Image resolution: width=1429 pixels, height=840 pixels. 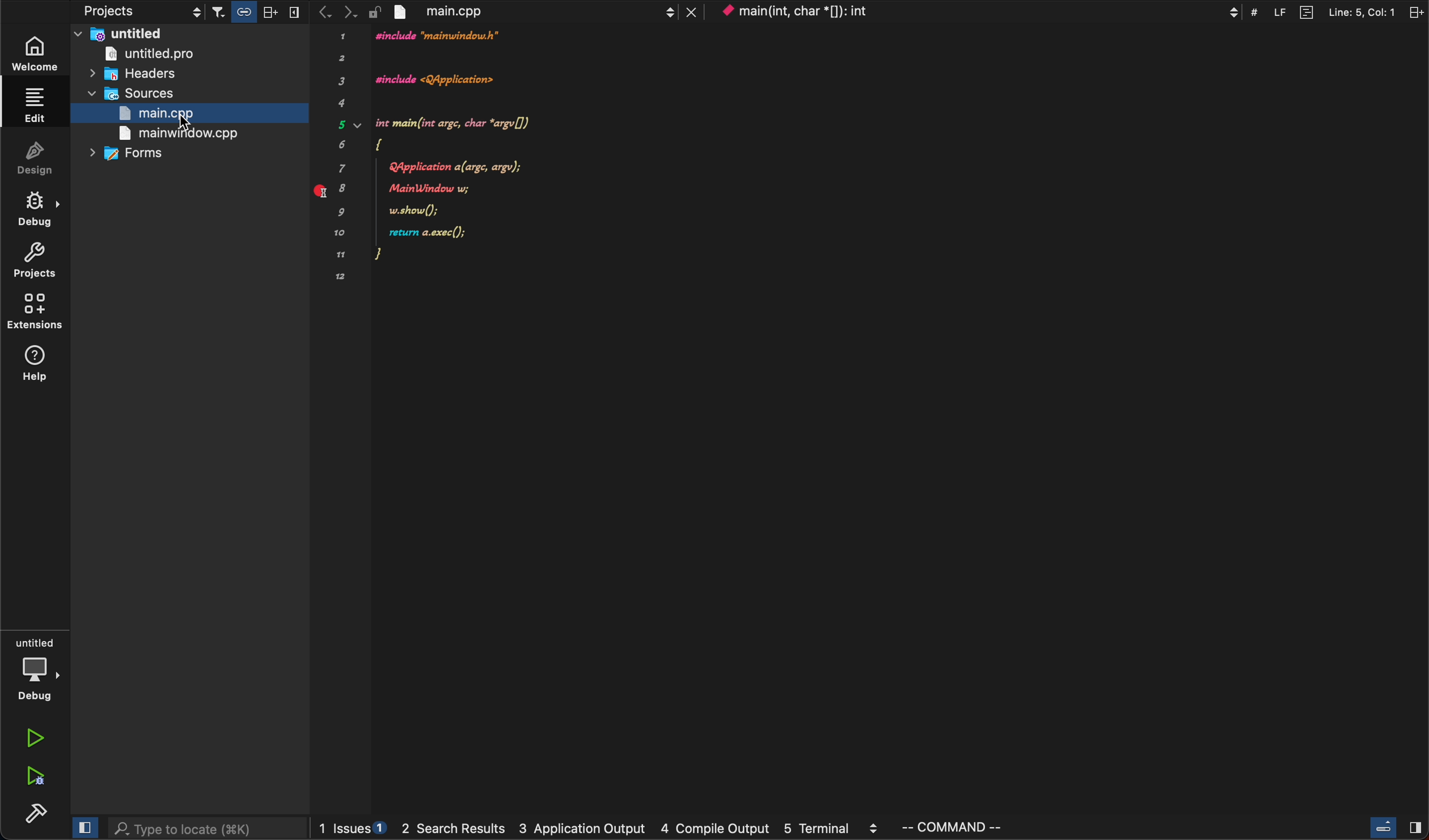 What do you see at coordinates (189, 33) in the screenshot?
I see `untitled` at bounding box center [189, 33].